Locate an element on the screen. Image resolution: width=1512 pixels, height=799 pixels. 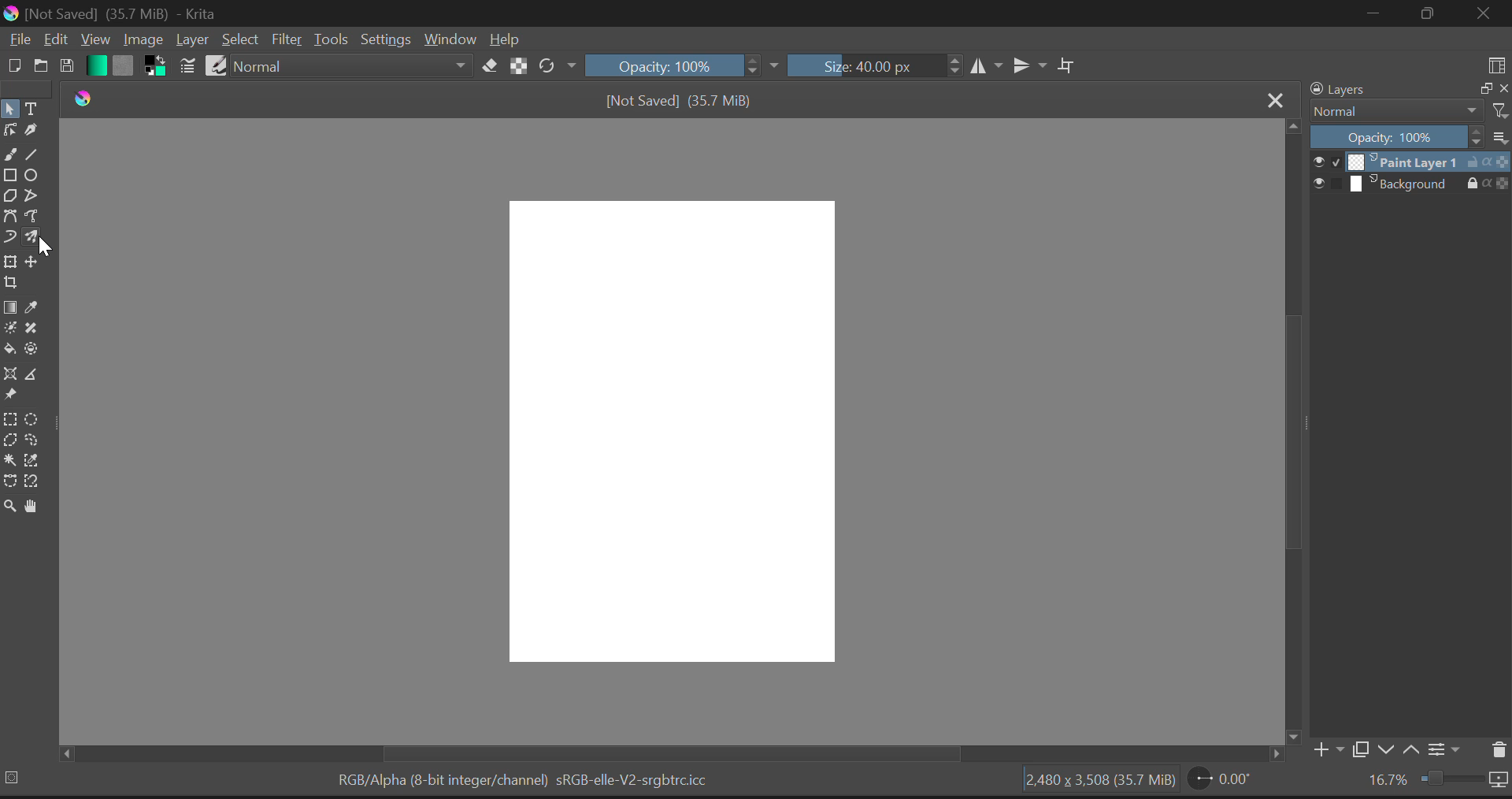
Erase is located at coordinates (491, 67).